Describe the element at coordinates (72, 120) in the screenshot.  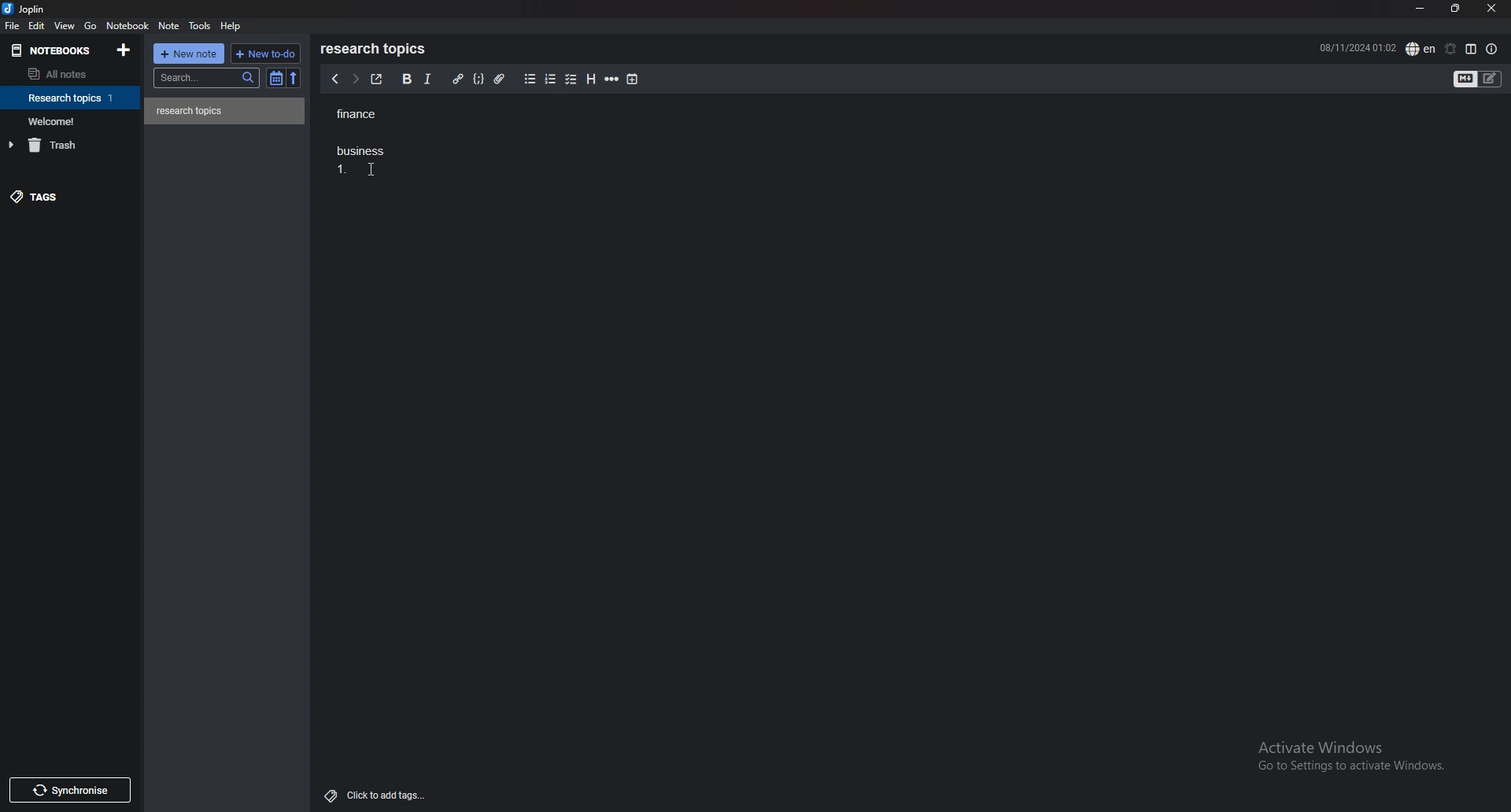
I see `notebook` at that location.